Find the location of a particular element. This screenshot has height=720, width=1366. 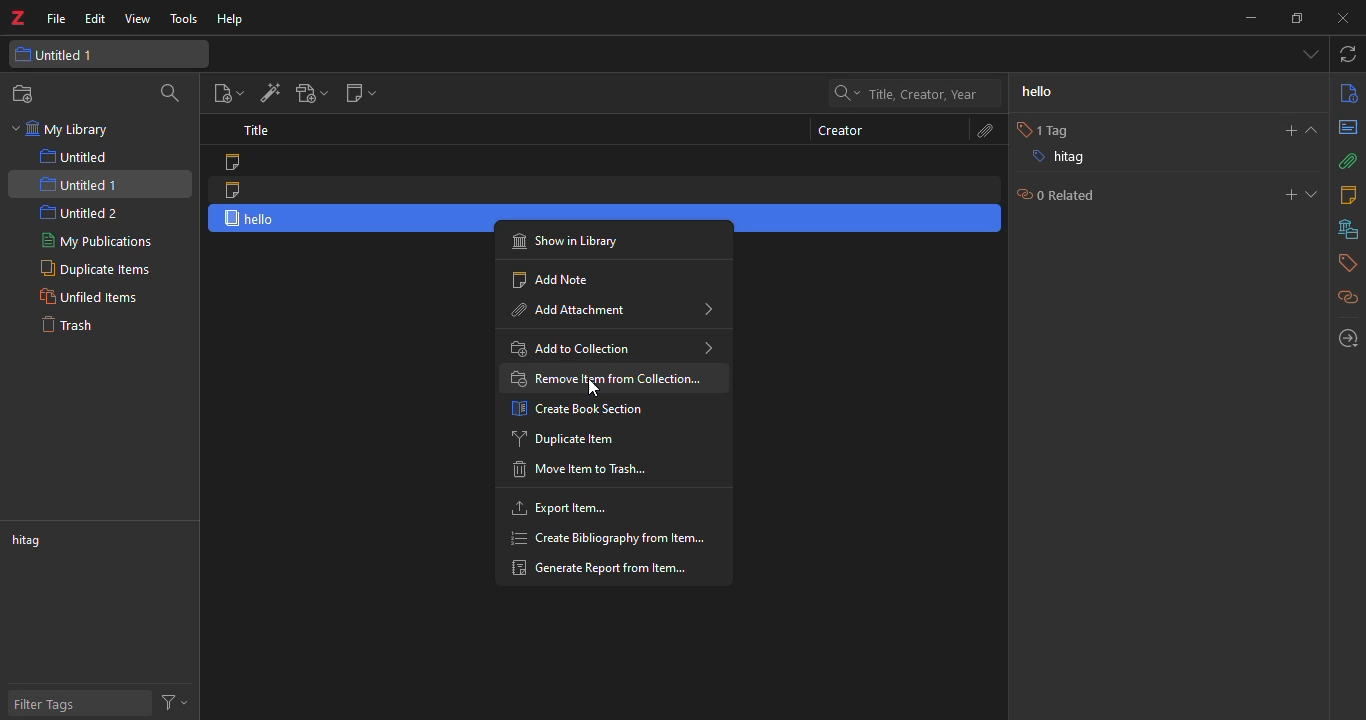

edit is located at coordinates (94, 20).